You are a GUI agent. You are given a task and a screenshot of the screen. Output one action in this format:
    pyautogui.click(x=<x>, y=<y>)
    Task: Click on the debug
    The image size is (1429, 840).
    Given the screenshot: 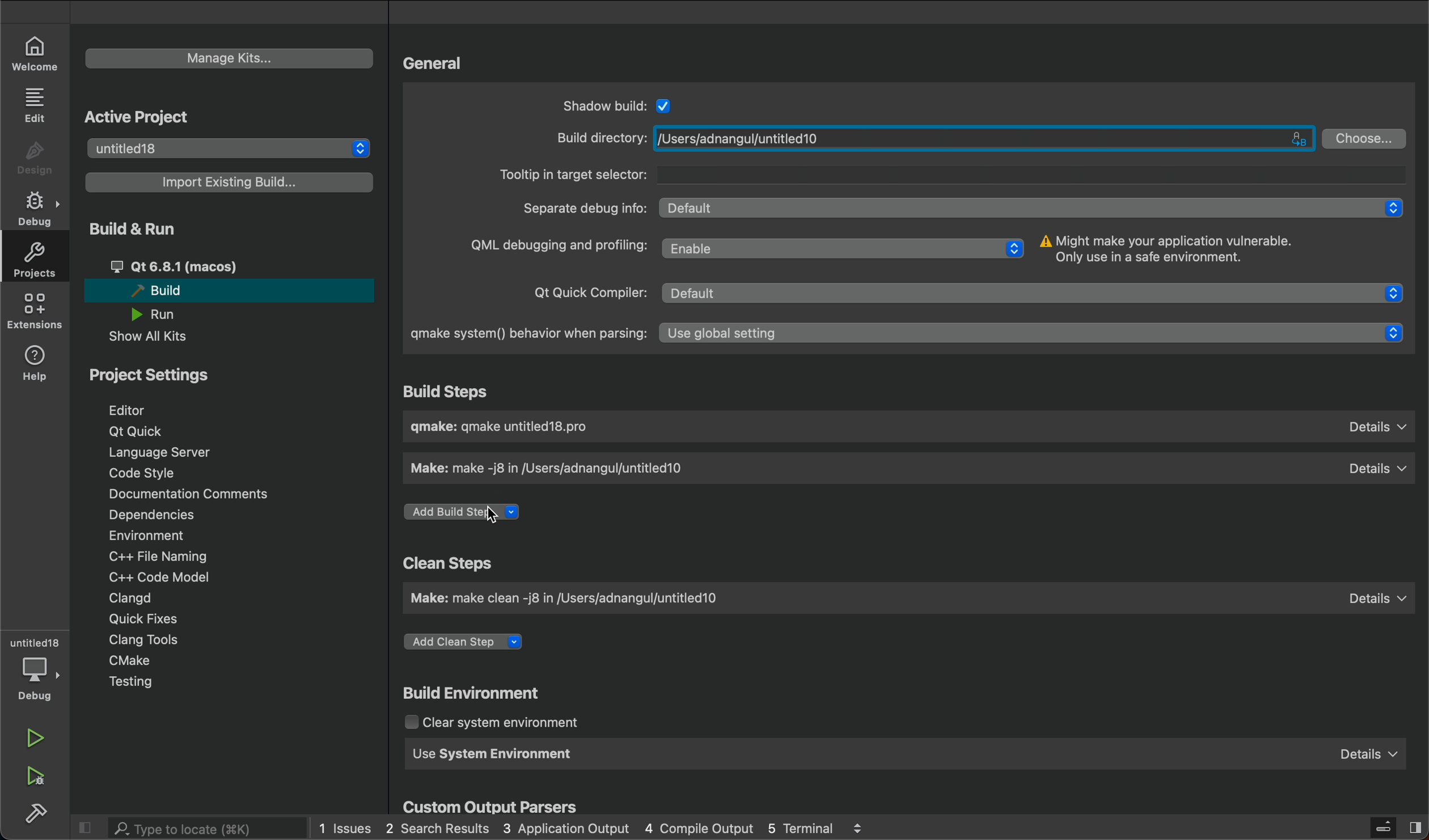 What is the action you would take?
    pyautogui.click(x=38, y=207)
    